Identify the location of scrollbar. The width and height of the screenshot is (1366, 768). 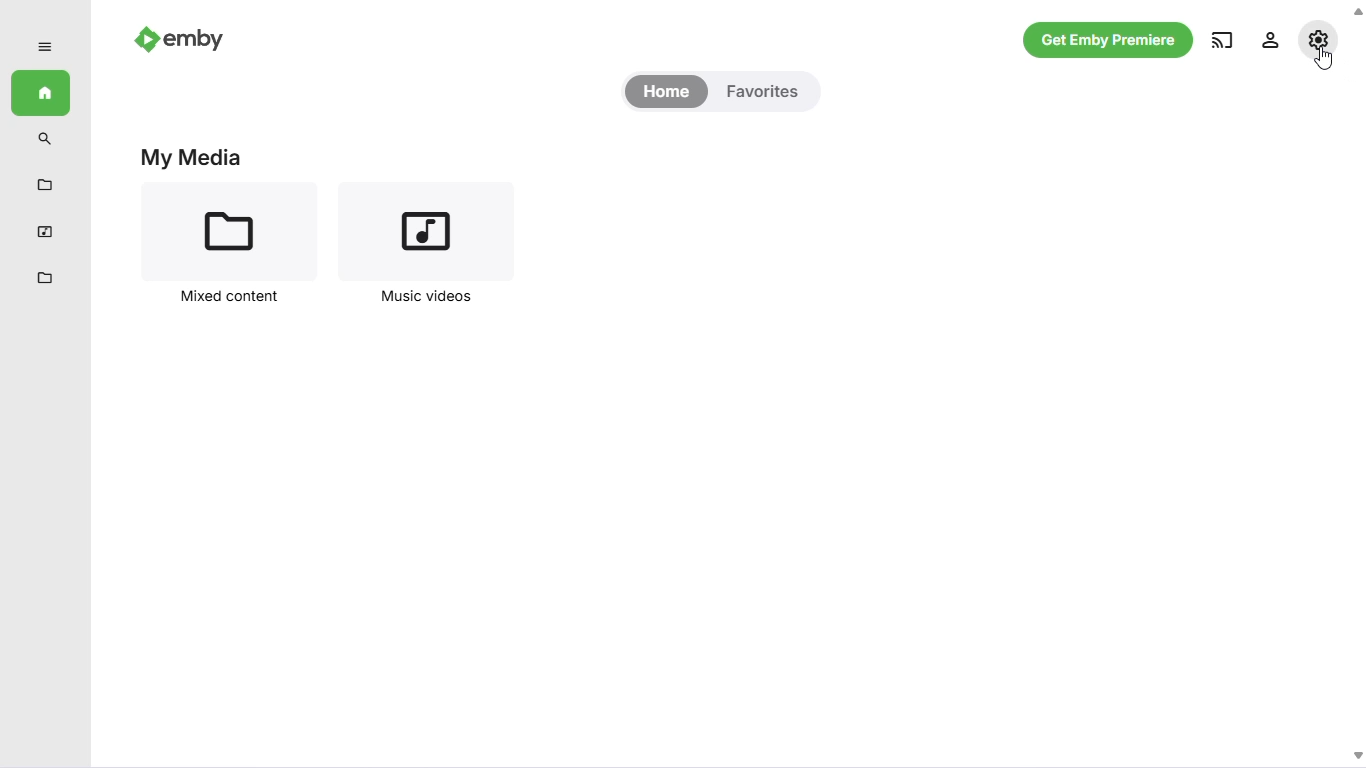
(1358, 385).